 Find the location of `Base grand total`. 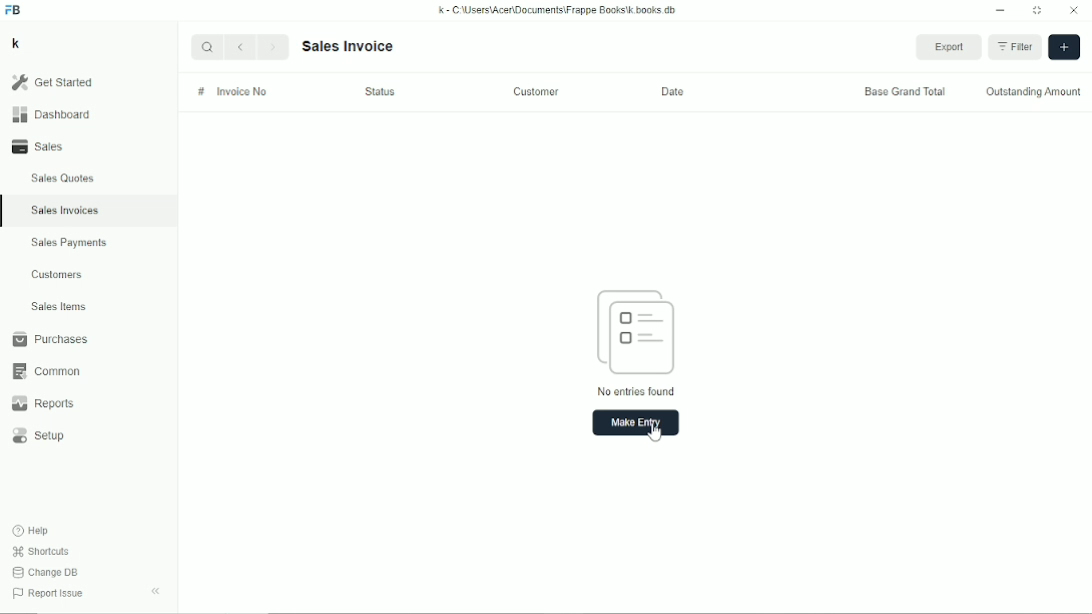

Base grand total is located at coordinates (904, 91).